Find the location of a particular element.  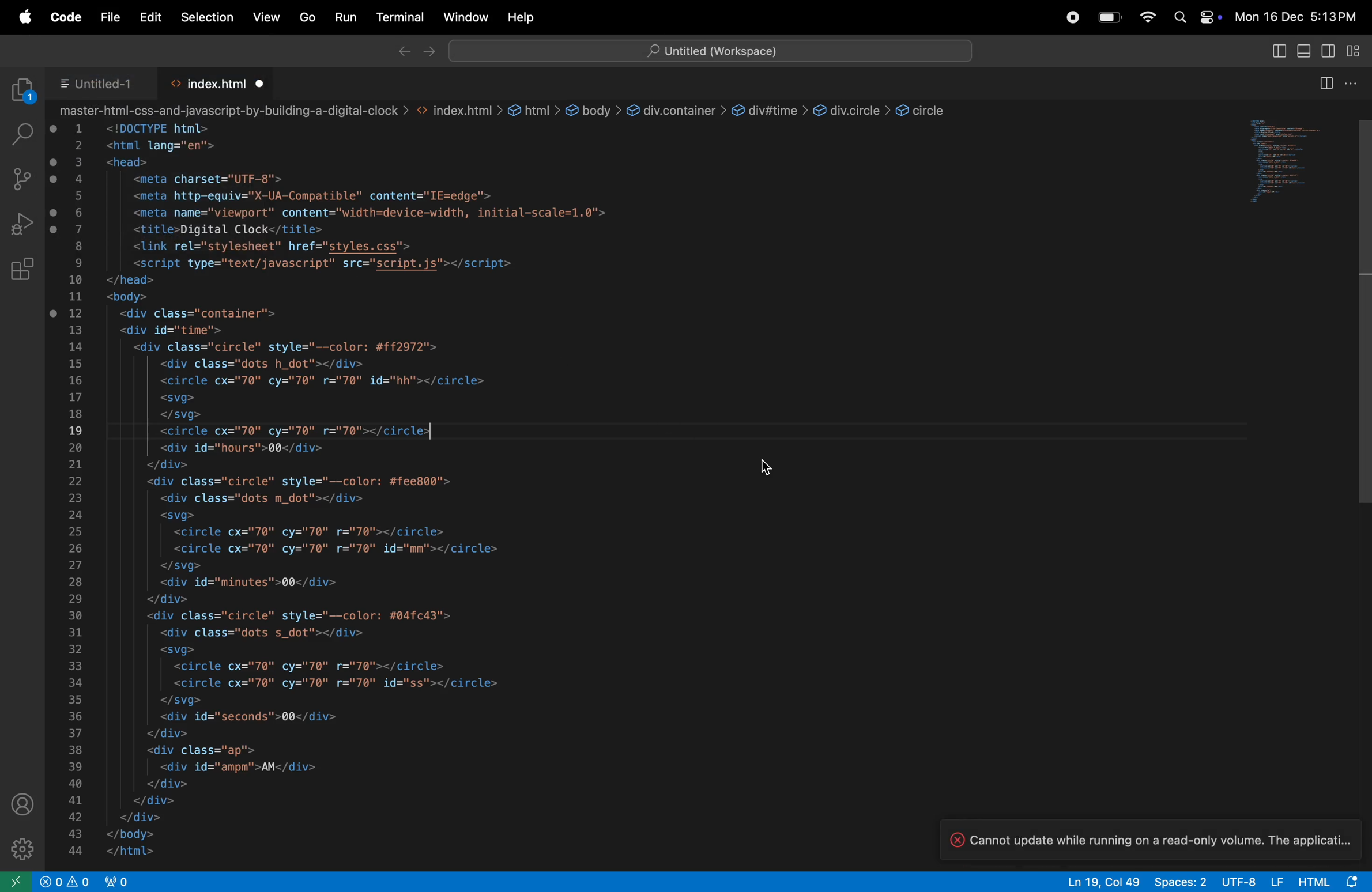

backward is located at coordinates (400, 52).